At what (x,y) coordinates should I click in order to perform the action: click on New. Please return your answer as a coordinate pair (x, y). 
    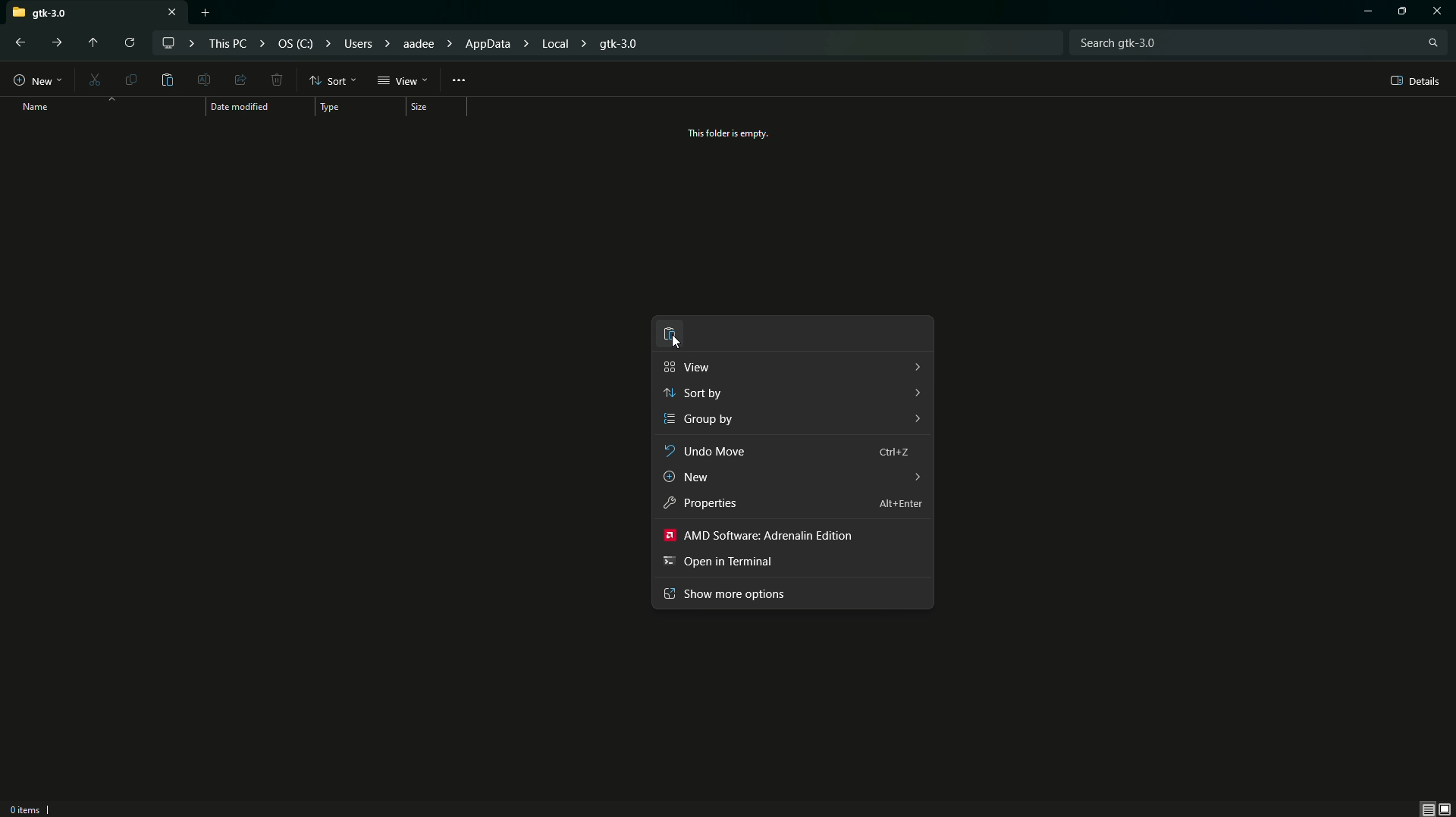
    Looking at the image, I should click on (795, 476).